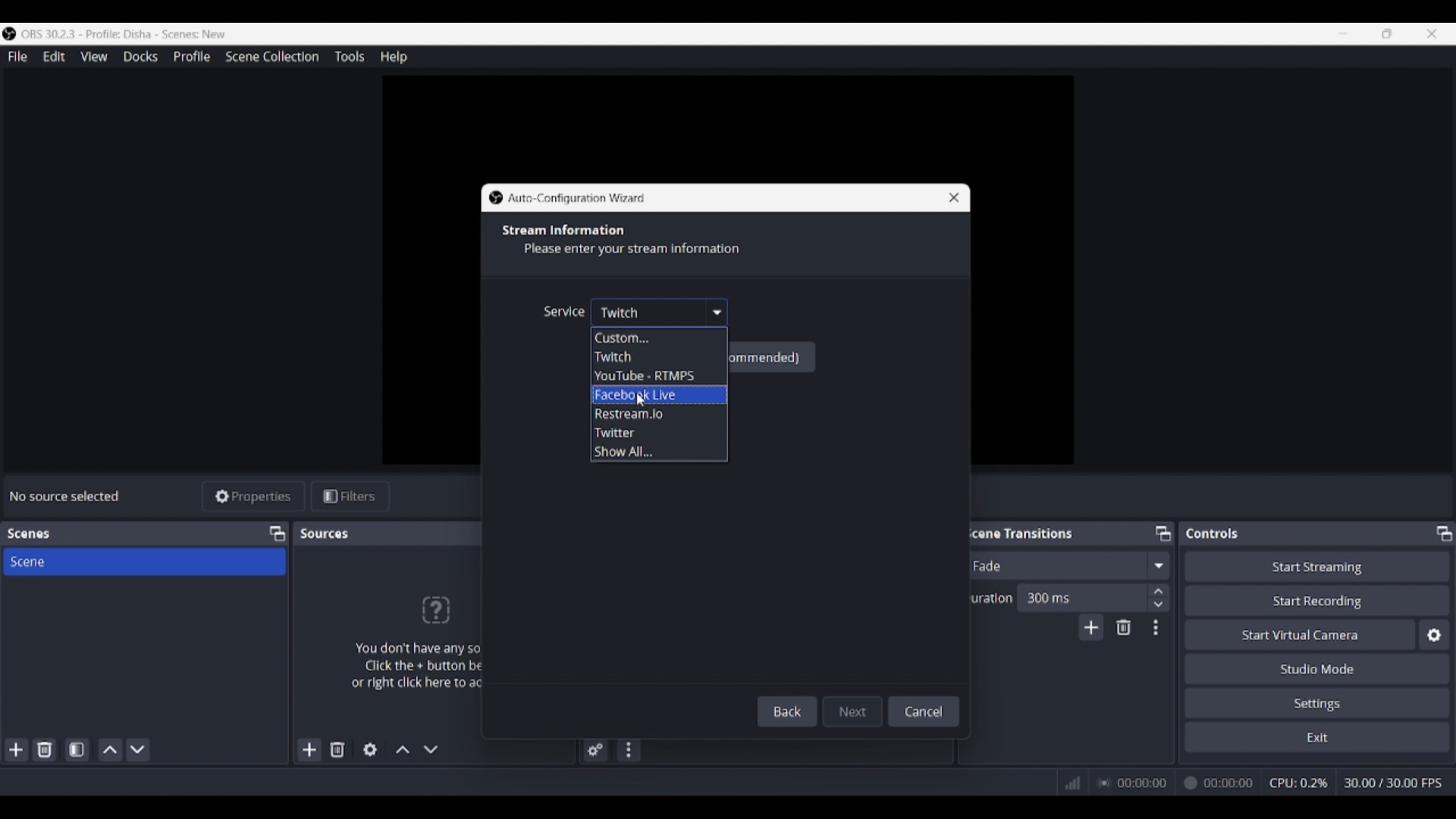  What do you see at coordinates (349, 56) in the screenshot?
I see `Tools menu` at bounding box center [349, 56].